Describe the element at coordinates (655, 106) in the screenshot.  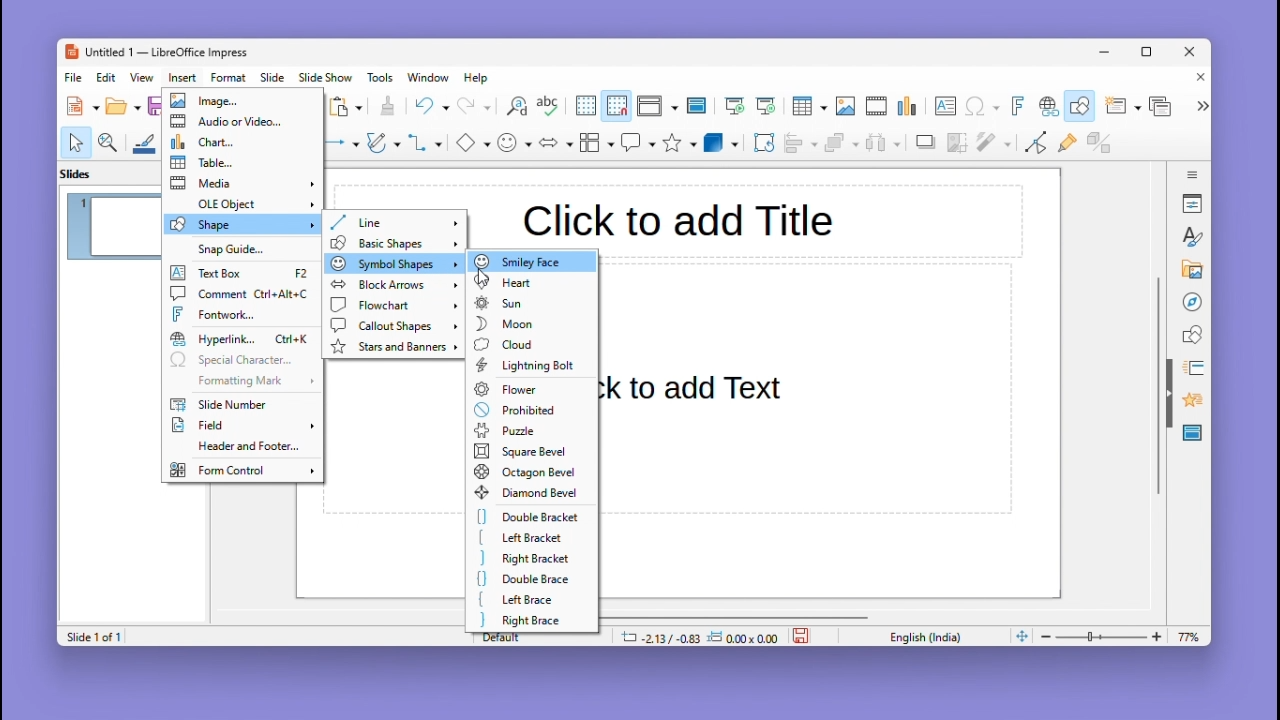
I see `Display views` at that location.